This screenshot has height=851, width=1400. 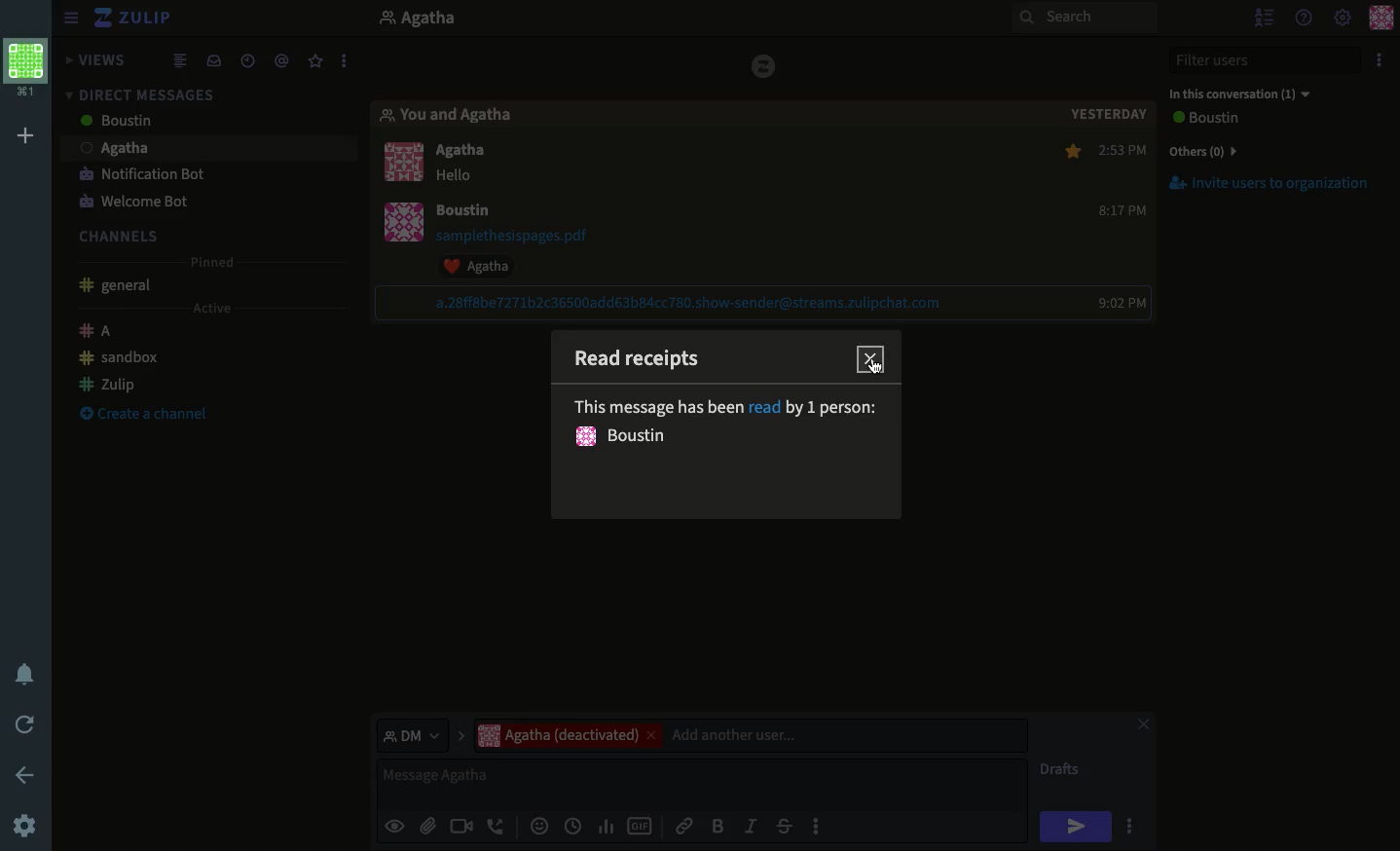 I want to click on Settings, so click(x=24, y=828).